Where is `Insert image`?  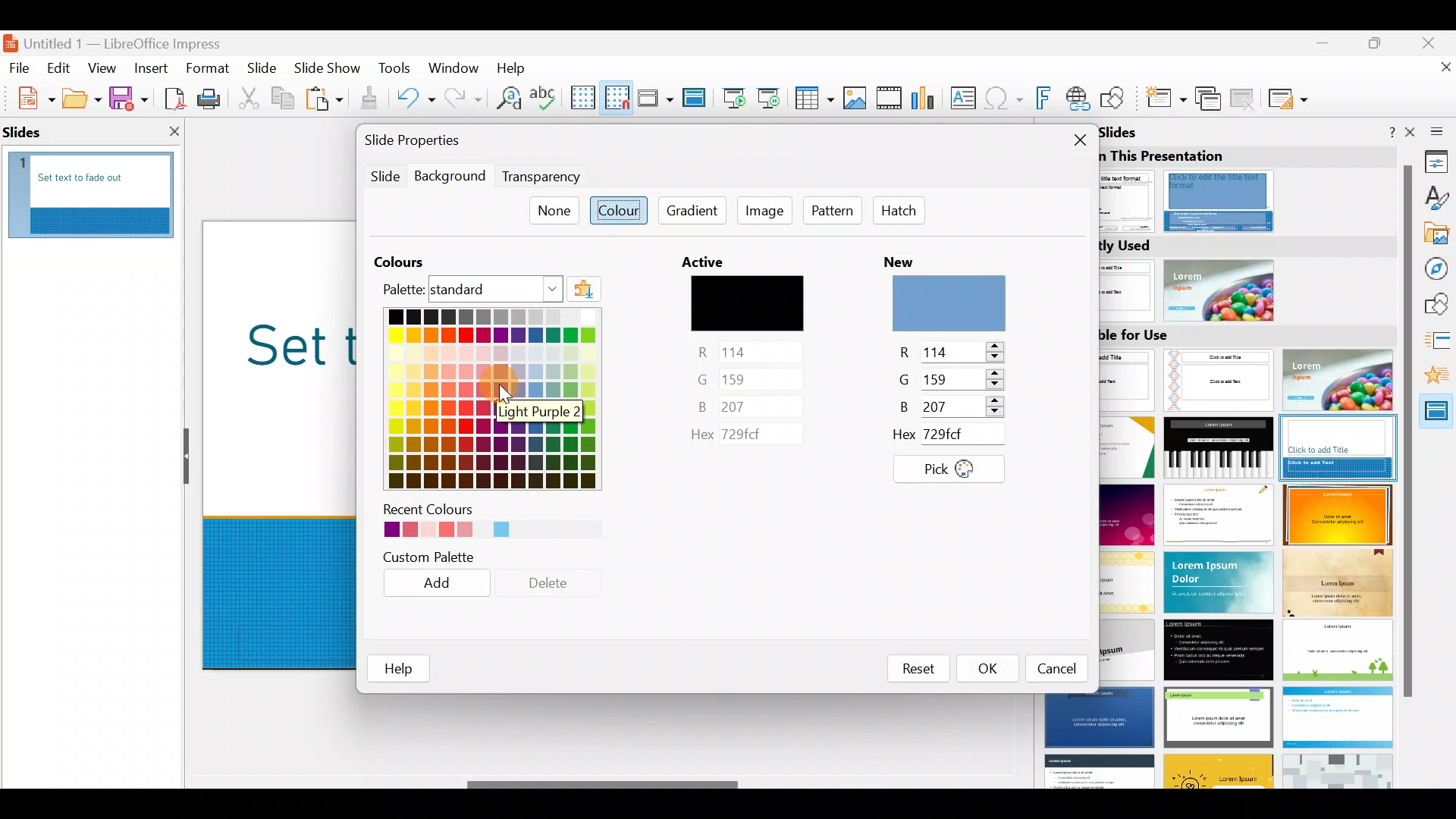 Insert image is located at coordinates (858, 99).